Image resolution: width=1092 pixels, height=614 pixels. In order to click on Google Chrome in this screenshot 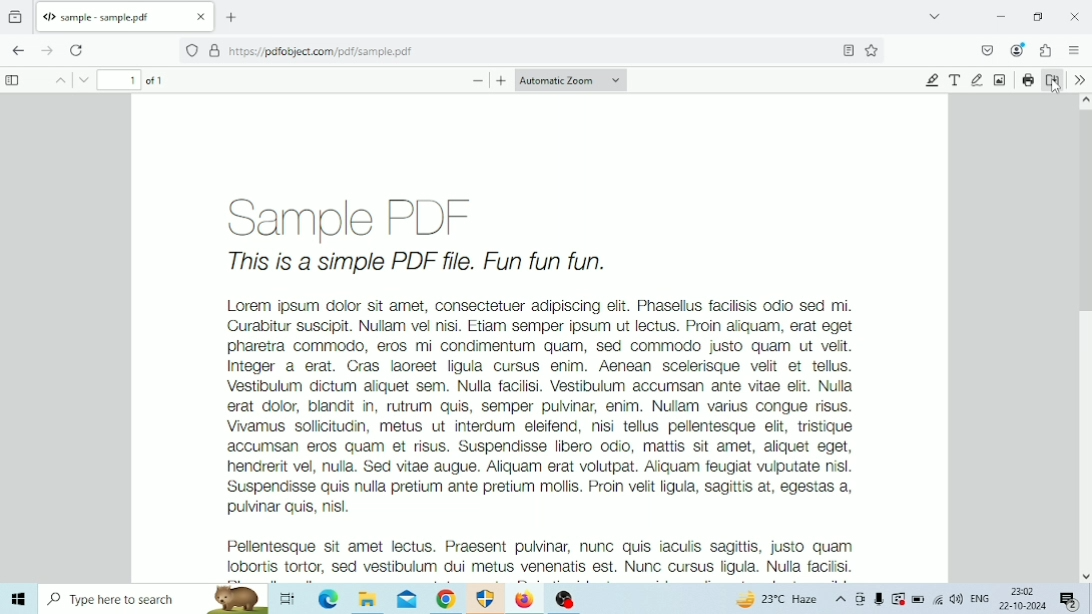, I will do `click(446, 599)`.